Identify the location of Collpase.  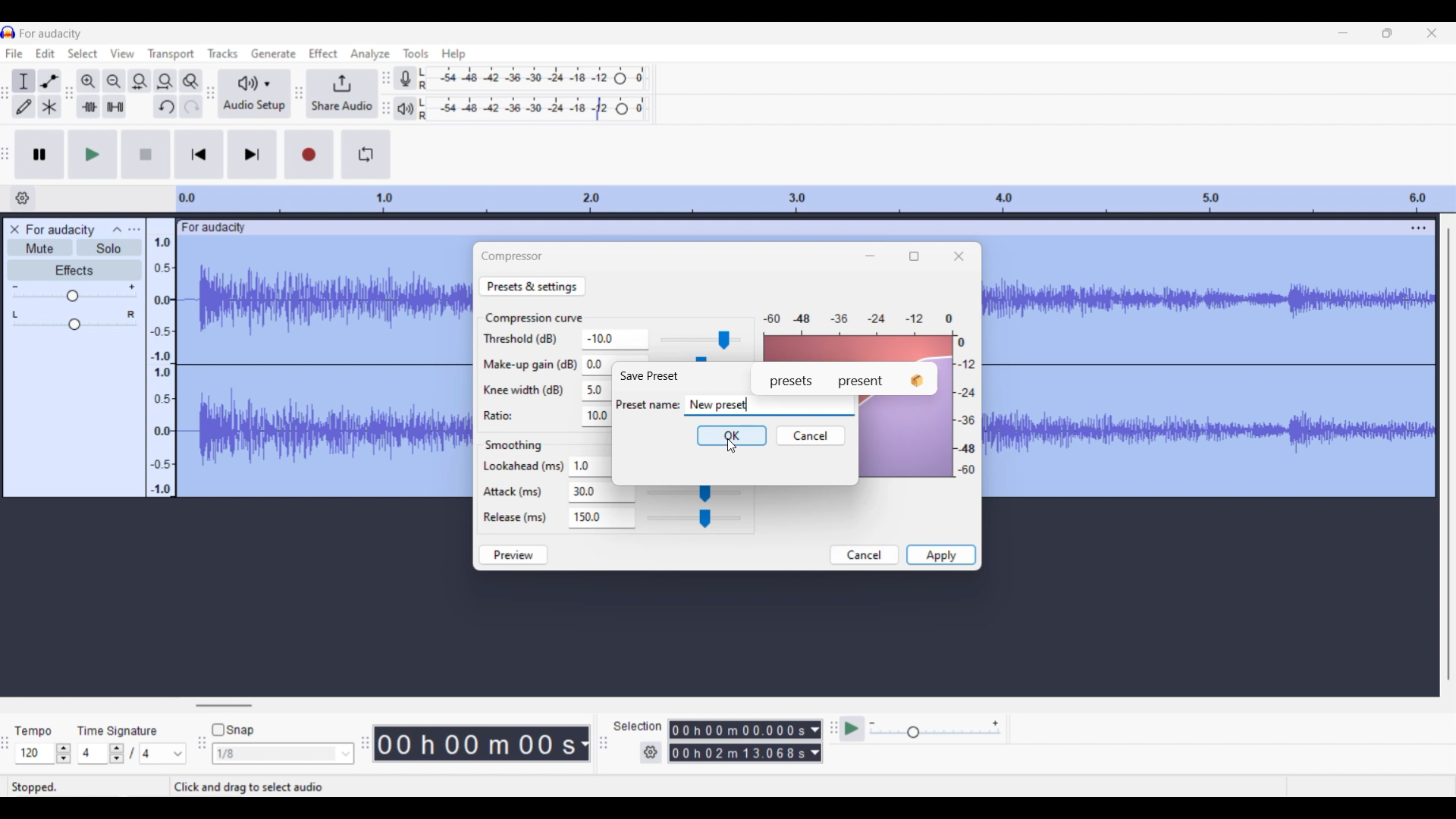
(118, 229).